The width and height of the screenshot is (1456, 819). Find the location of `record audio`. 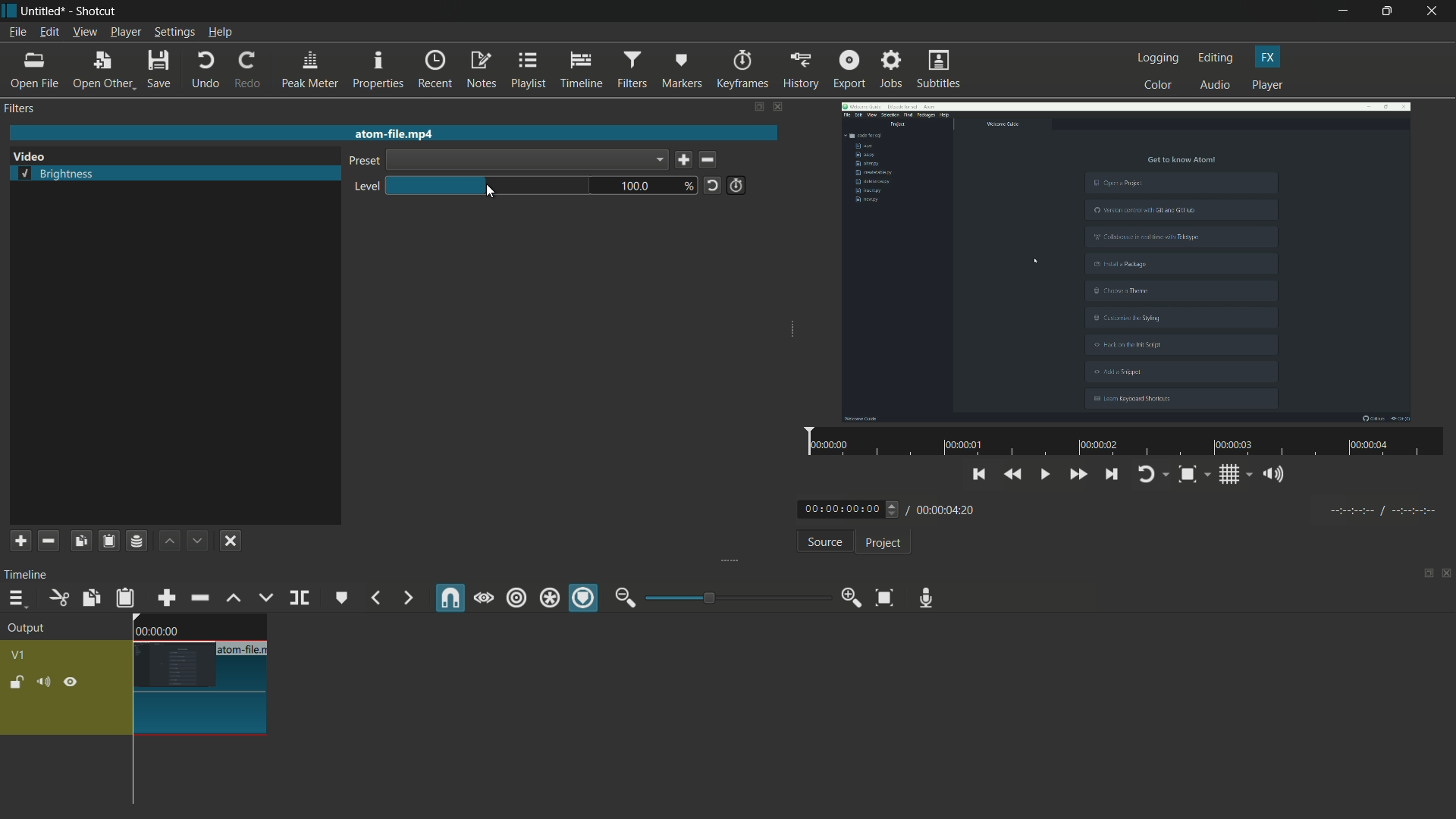

record audio is located at coordinates (922, 598).